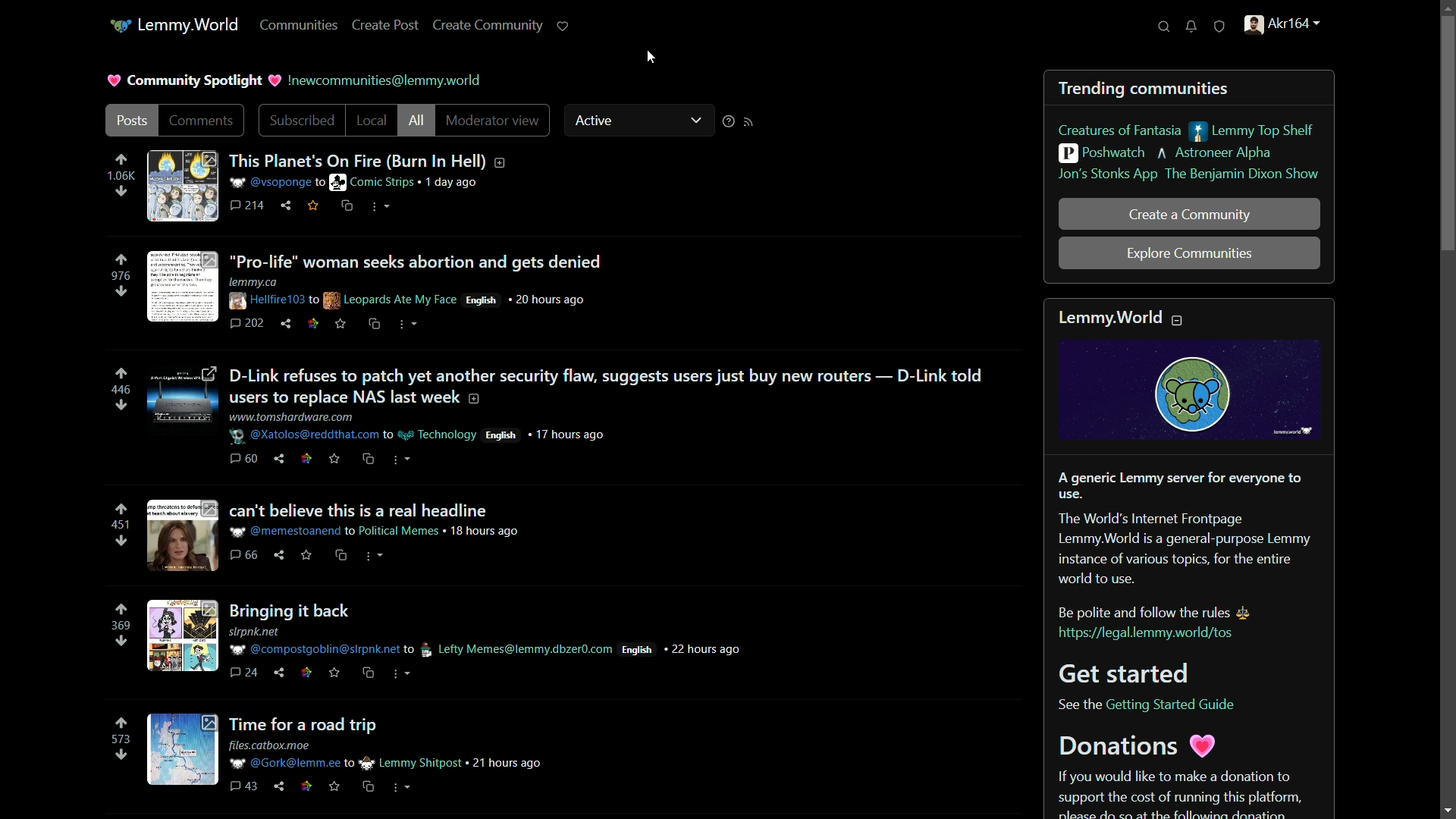 The width and height of the screenshot is (1456, 819). Describe the element at coordinates (120, 756) in the screenshot. I see `downvote` at that location.